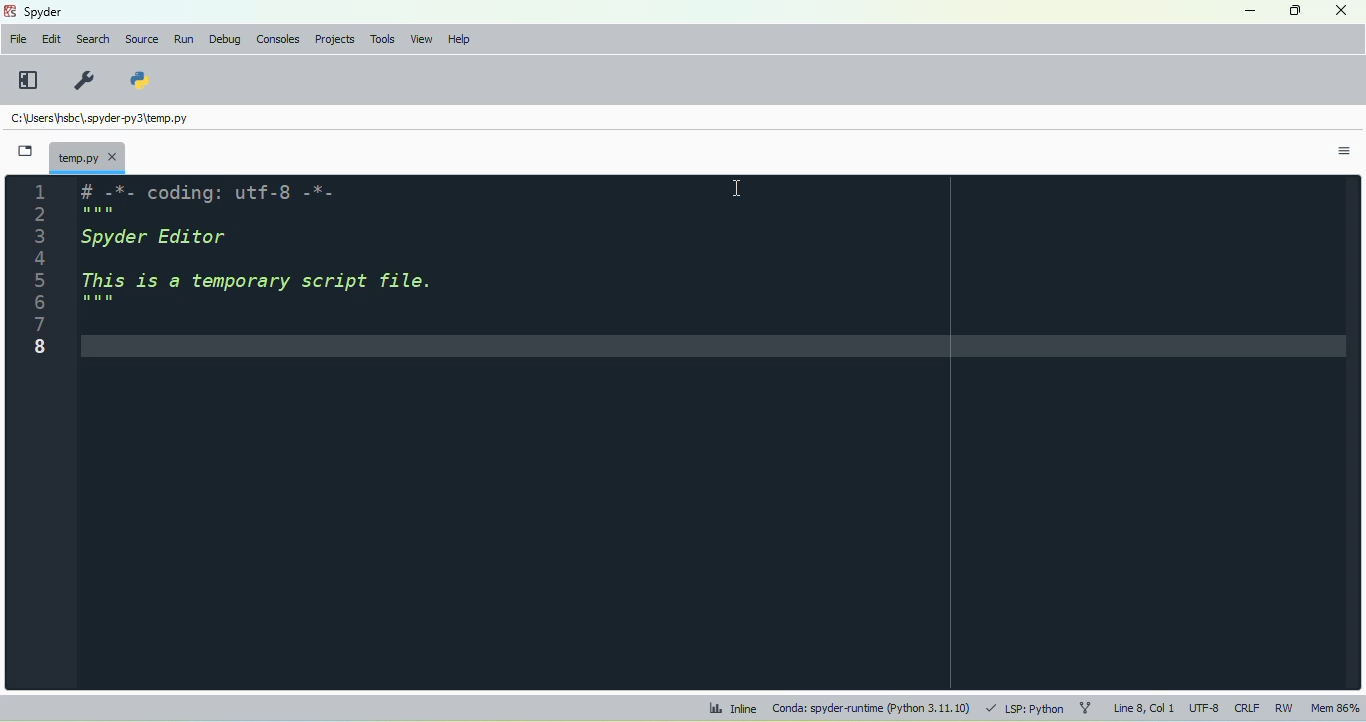 The width and height of the screenshot is (1366, 722). What do you see at coordinates (872, 707) in the screenshot?
I see `conda: spyder-runtime (python 3. 11. 10)` at bounding box center [872, 707].